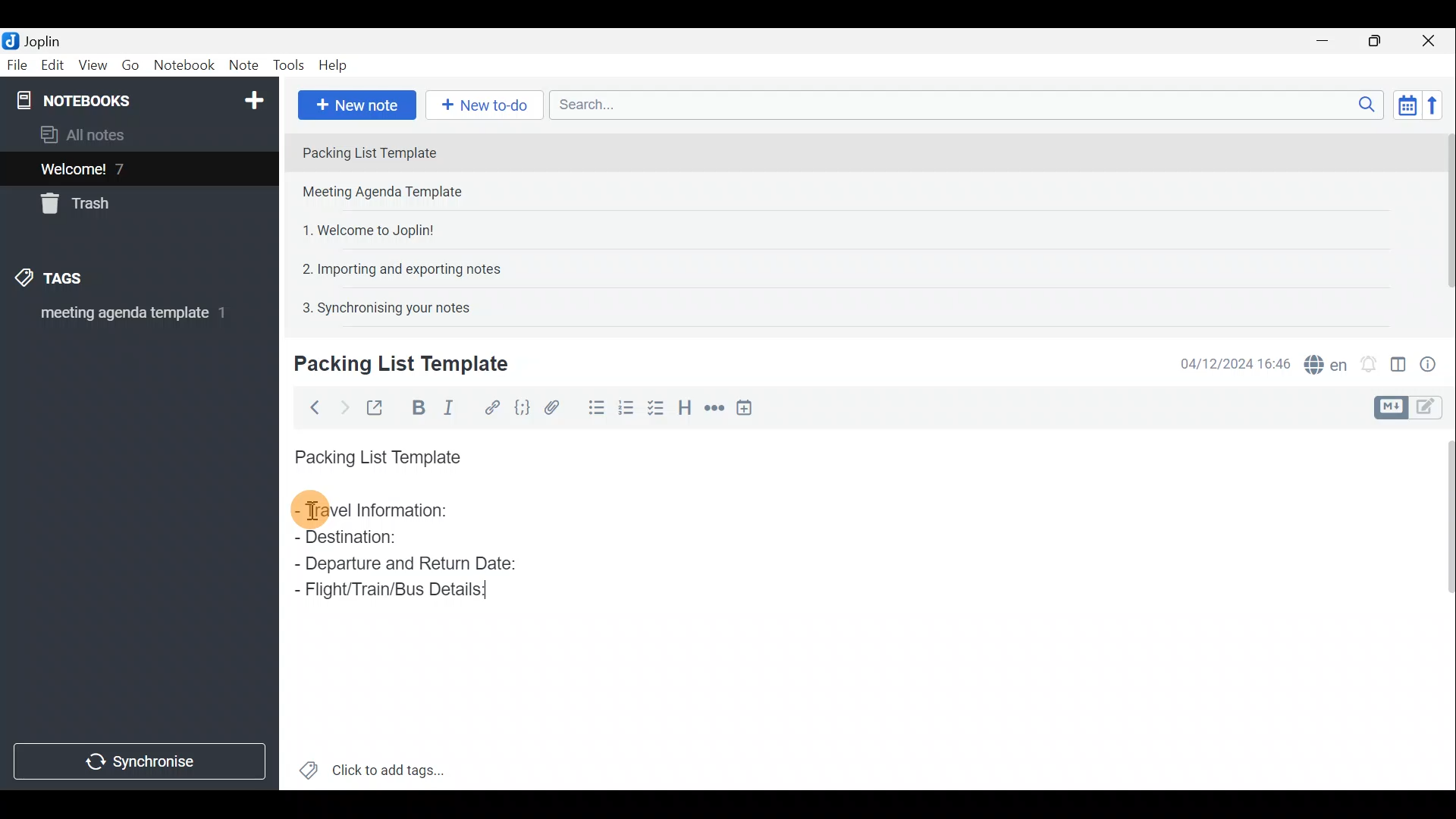 The width and height of the screenshot is (1456, 819). What do you see at coordinates (522, 406) in the screenshot?
I see `Code` at bounding box center [522, 406].